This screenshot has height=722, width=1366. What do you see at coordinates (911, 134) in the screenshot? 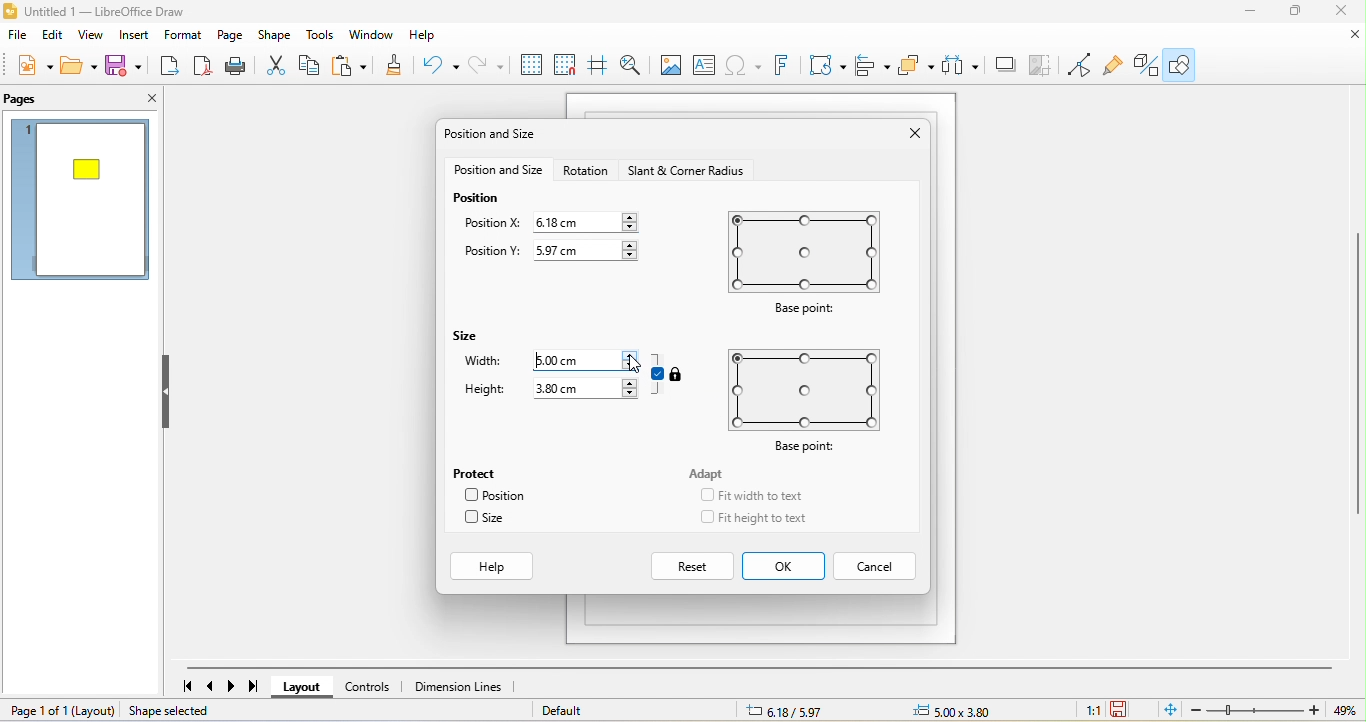
I see `close` at bounding box center [911, 134].